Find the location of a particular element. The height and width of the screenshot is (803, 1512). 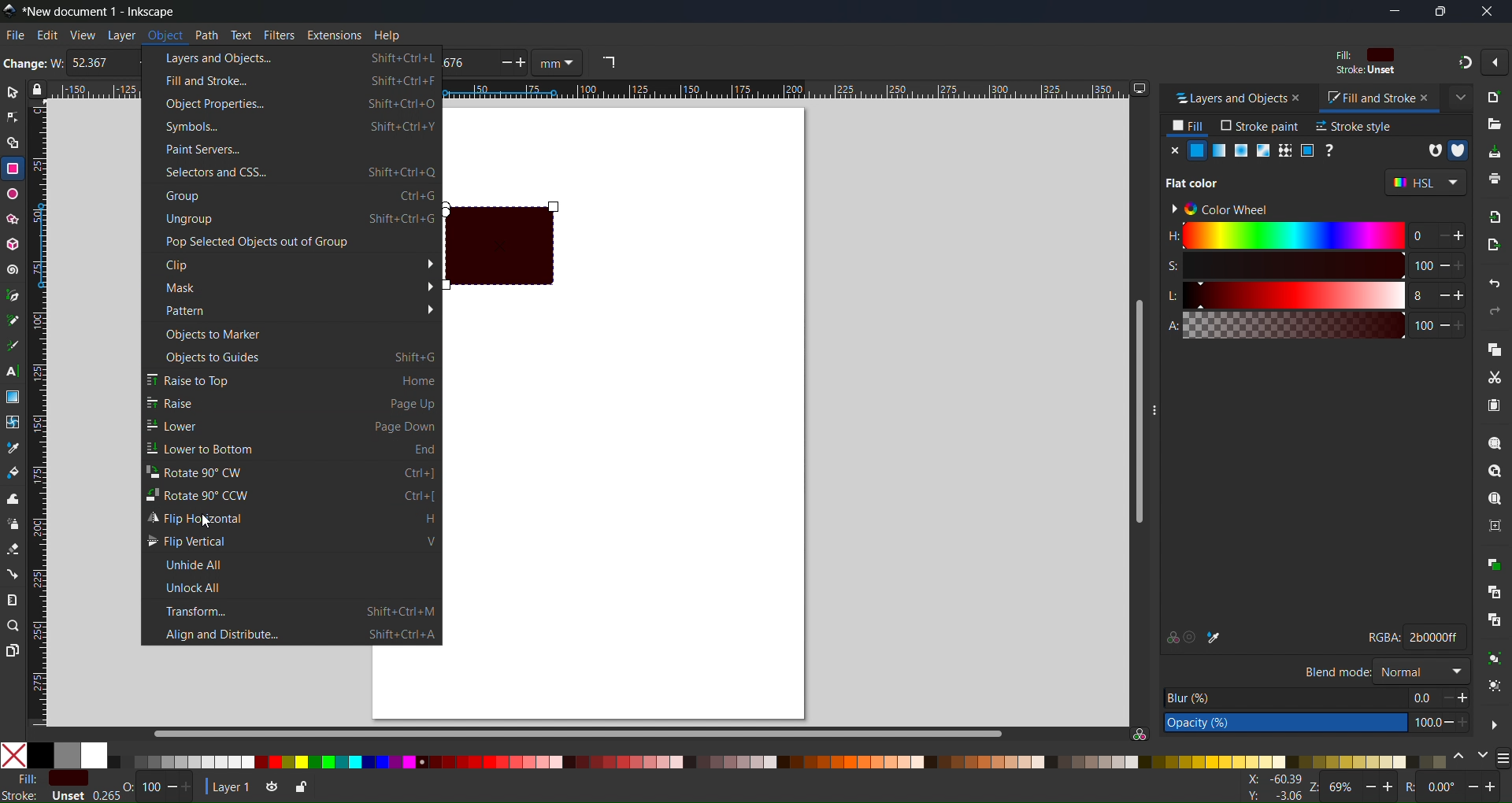

Color hamburger menu is located at coordinates (1503, 759).